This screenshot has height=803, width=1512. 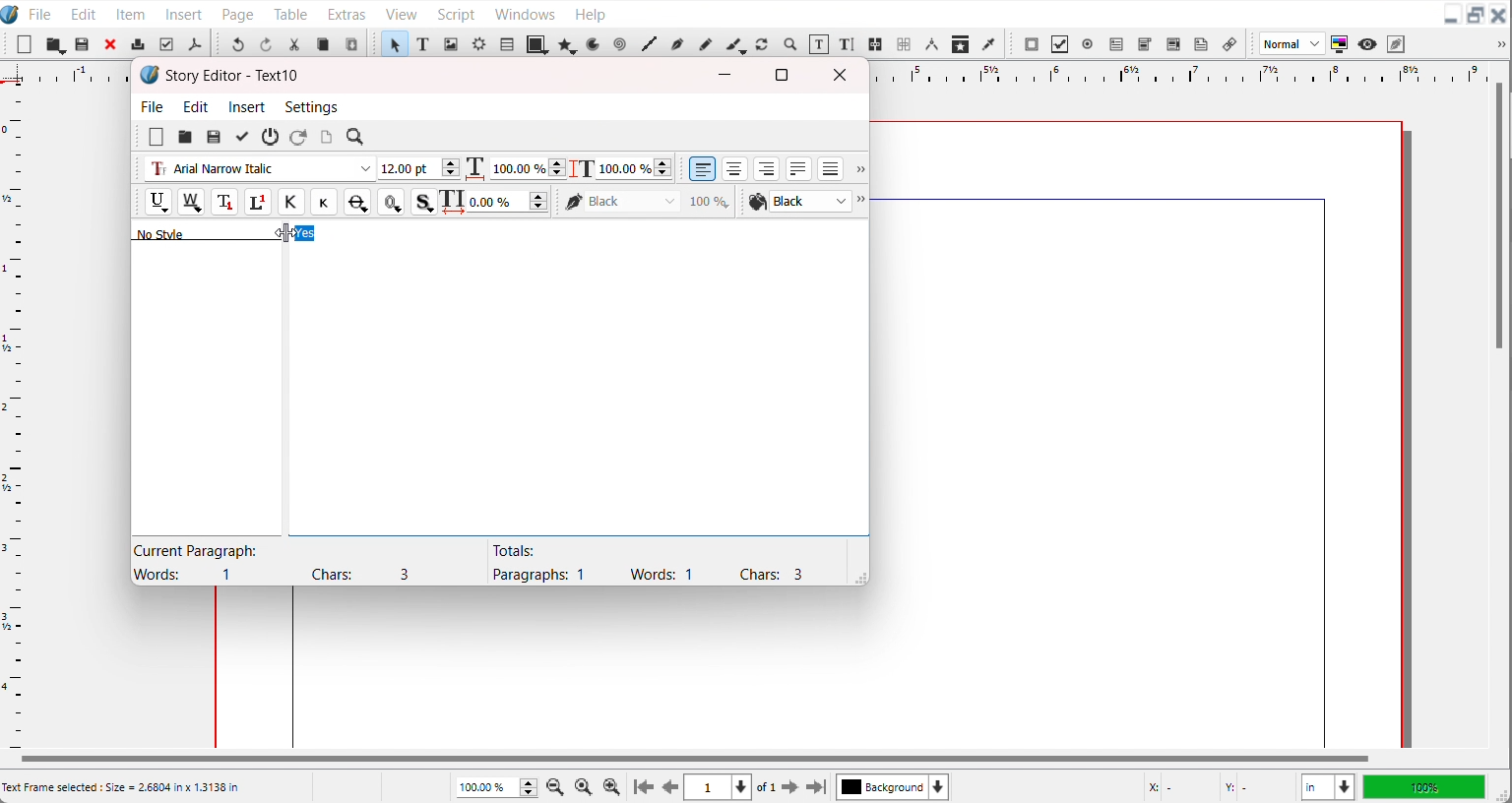 I want to click on Select item, so click(x=394, y=43).